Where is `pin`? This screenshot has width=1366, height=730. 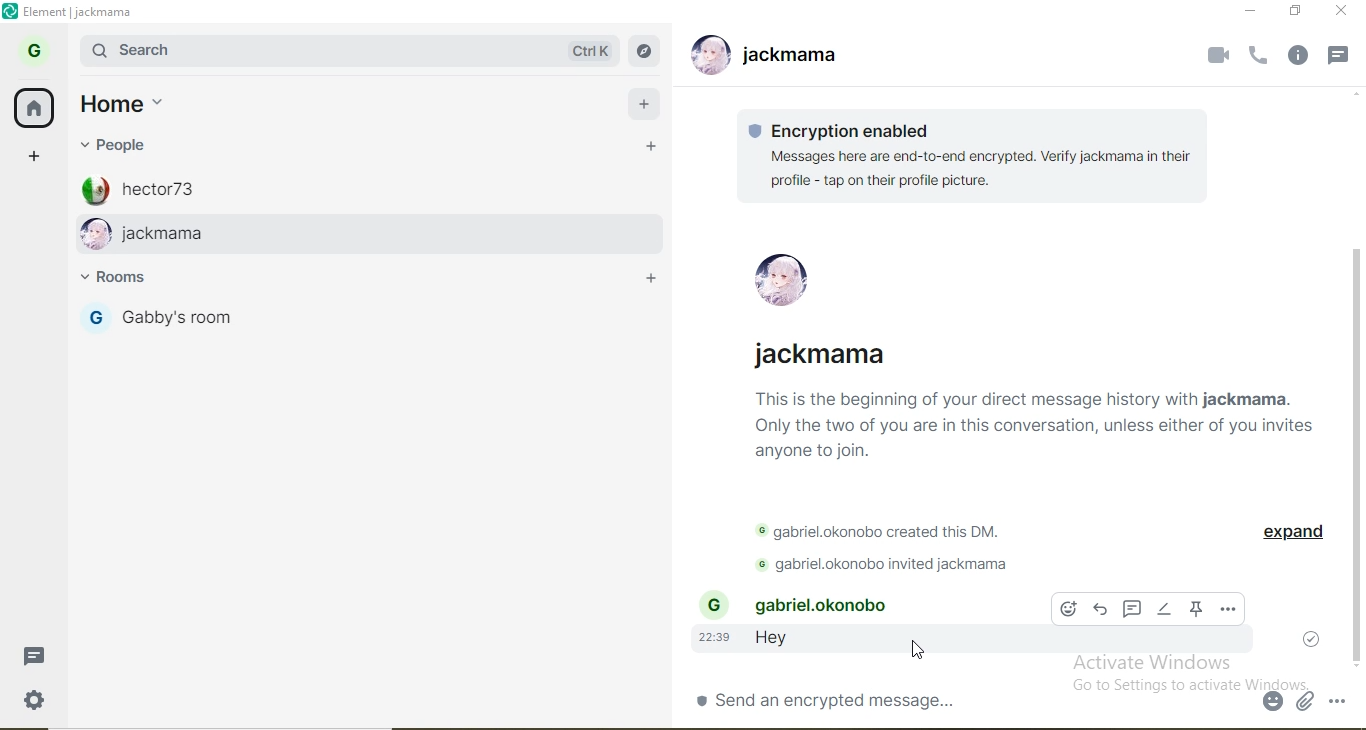
pin is located at coordinates (1199, 609).